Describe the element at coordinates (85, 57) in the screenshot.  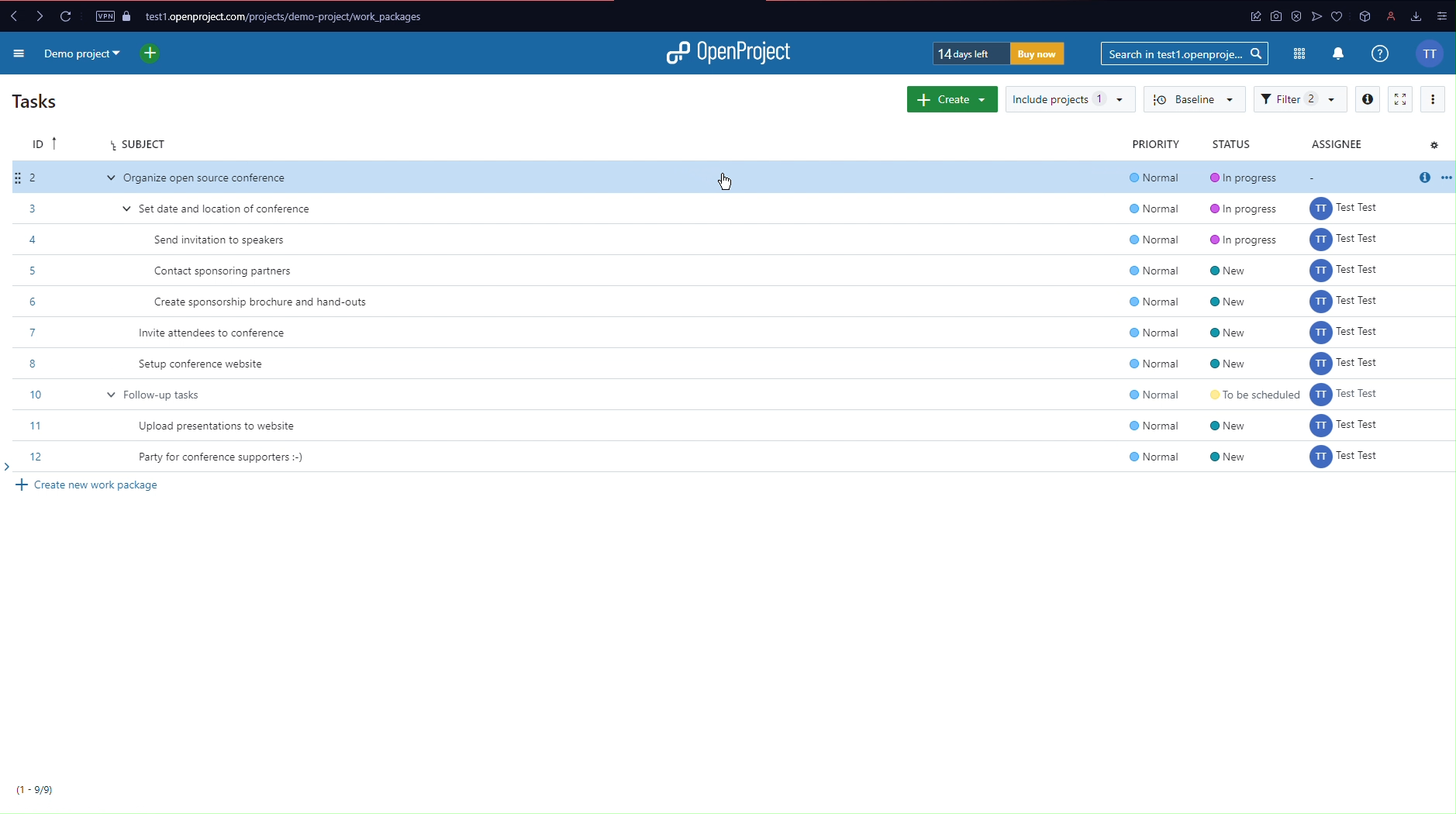
I see `Demo Project` at that location.